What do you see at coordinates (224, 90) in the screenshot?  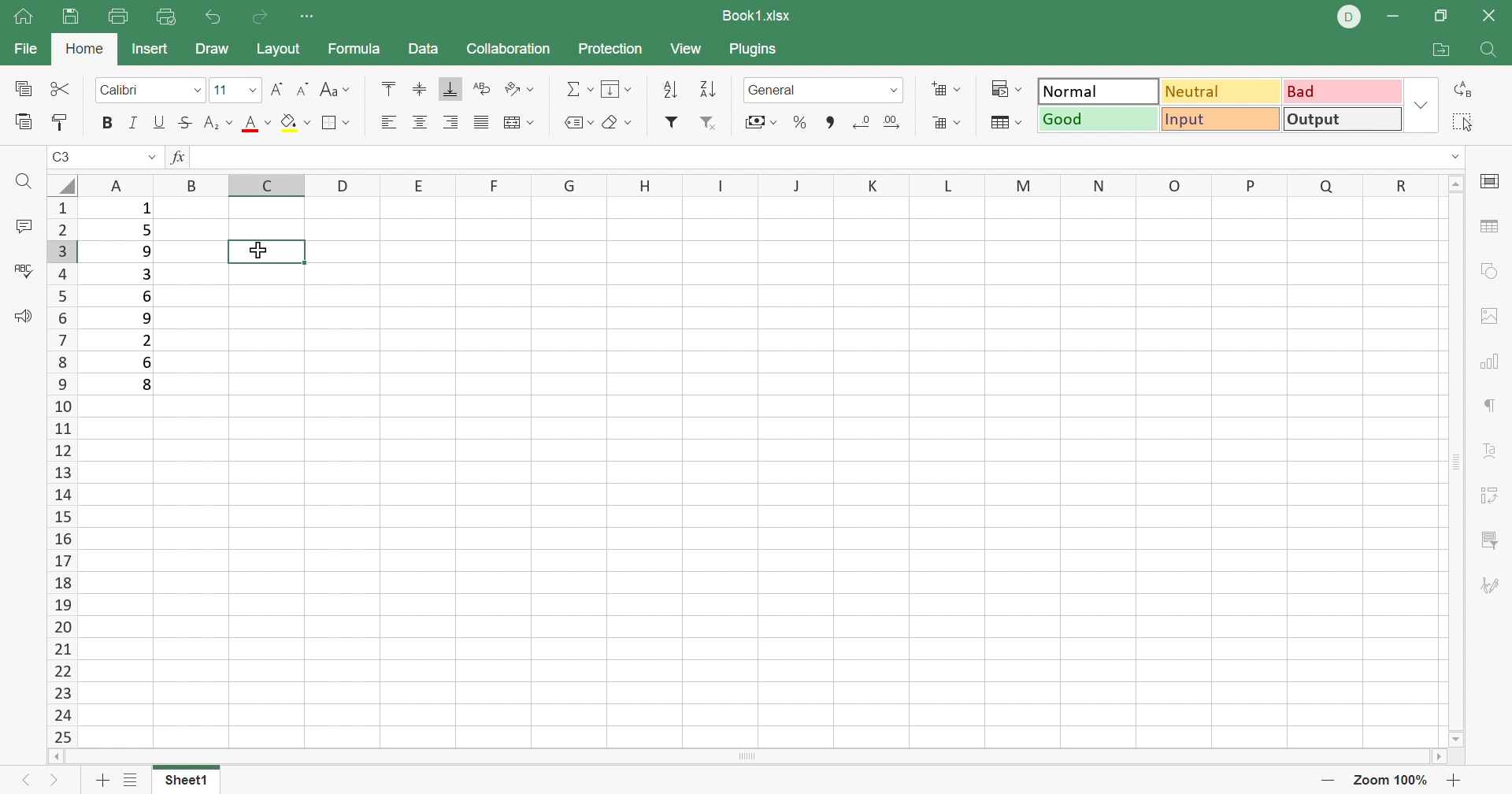 I see `font size` at bounding box center [224, 90].